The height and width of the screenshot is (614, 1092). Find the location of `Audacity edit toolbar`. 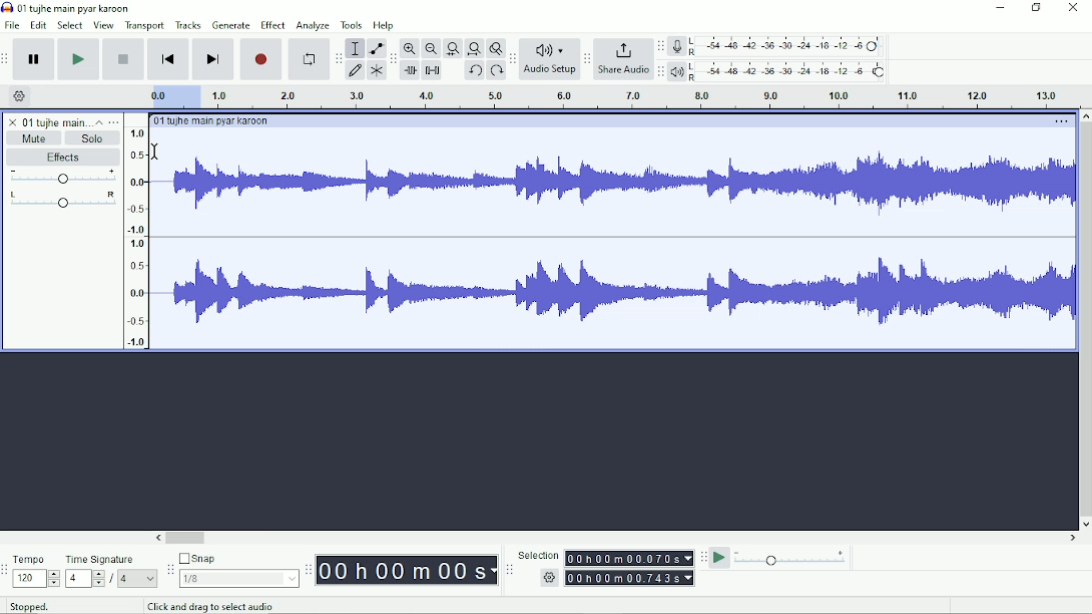

Audacity edit toolbar is located at coordinates (393, 60).